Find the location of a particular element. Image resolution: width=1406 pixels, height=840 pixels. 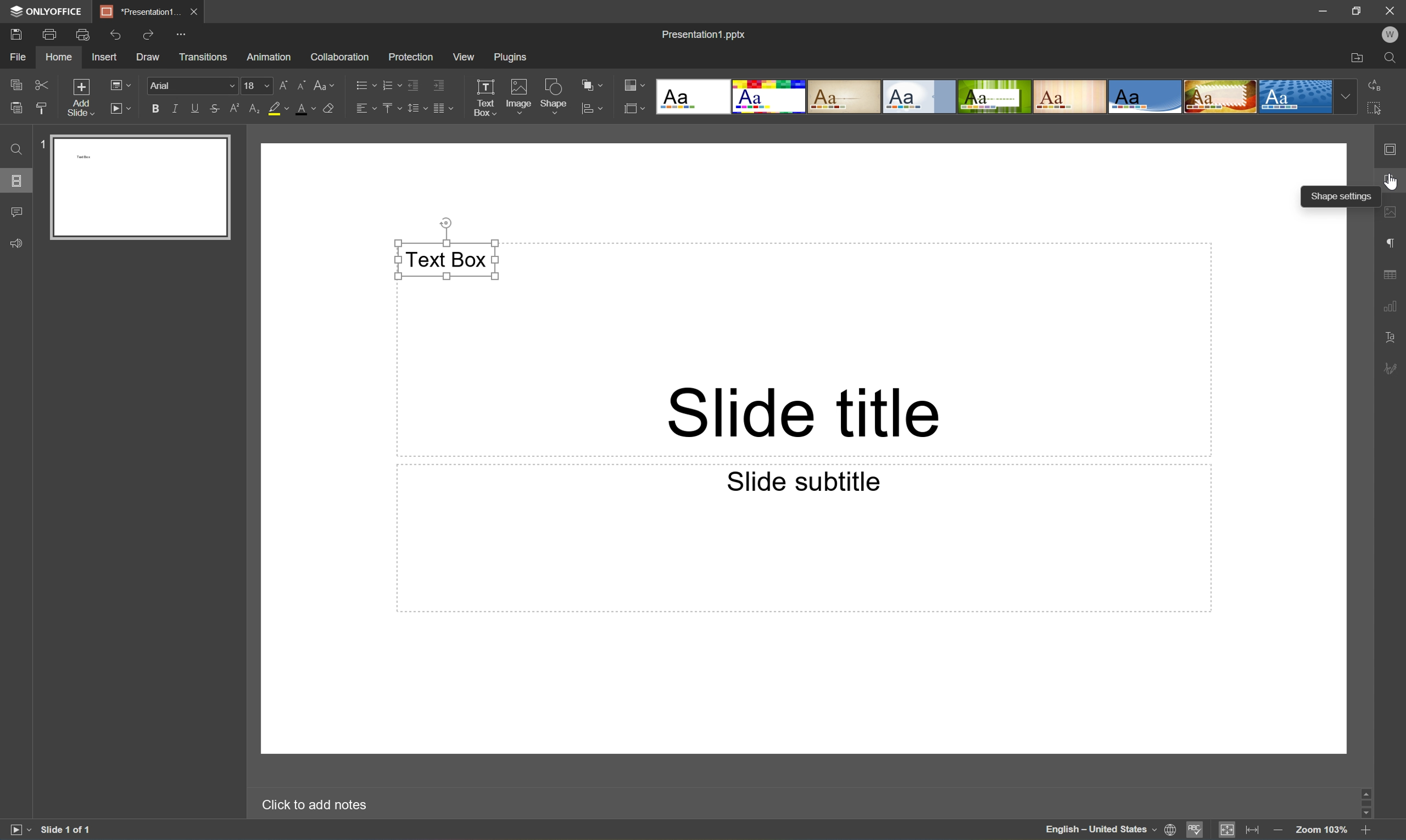

Select All is located at coordinates (1375, 107).